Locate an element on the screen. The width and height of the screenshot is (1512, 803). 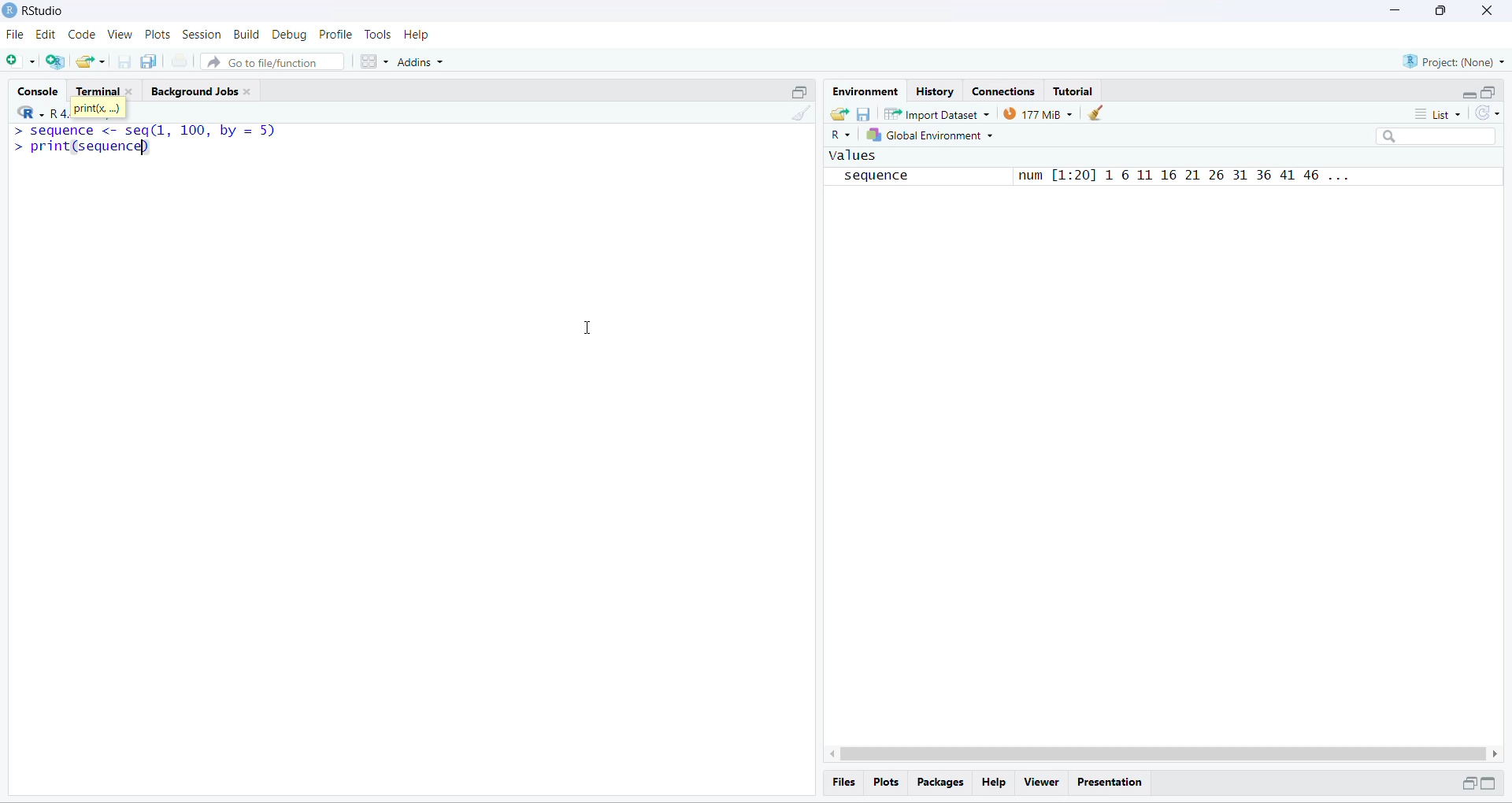
viewer is located at coordinates (1043, 783).